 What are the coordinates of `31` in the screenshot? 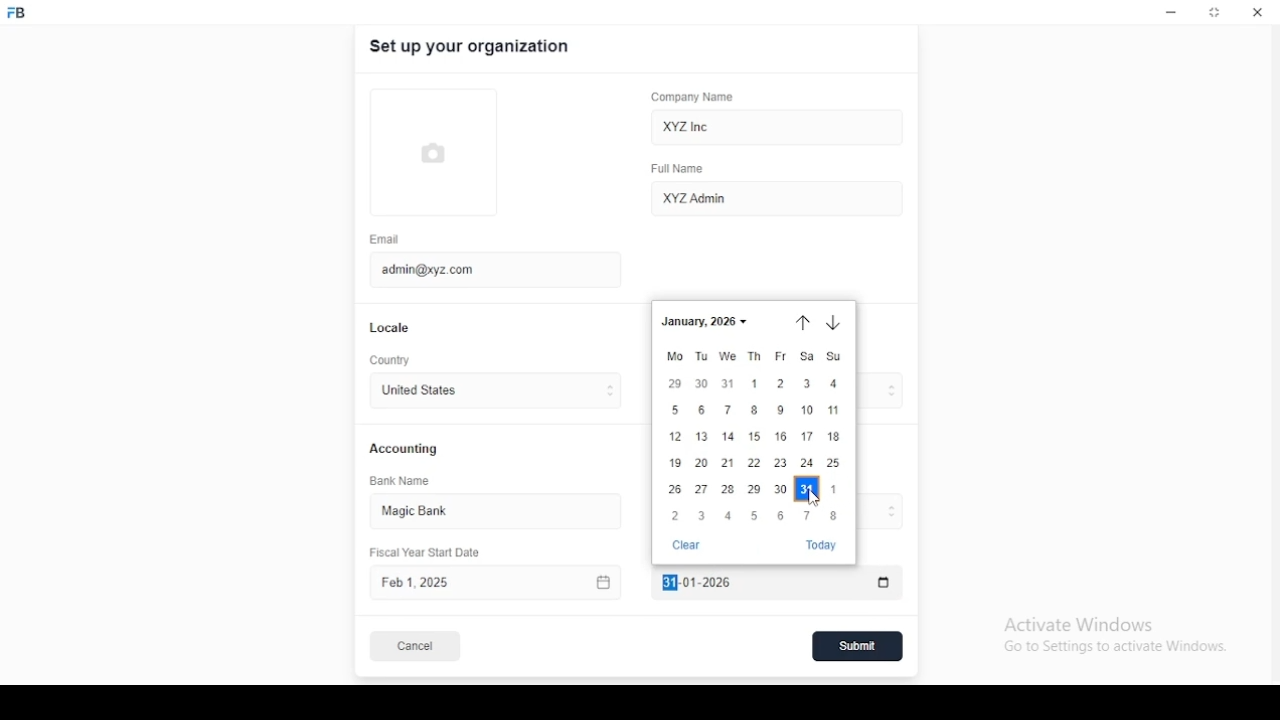 It's located at (806, 488).